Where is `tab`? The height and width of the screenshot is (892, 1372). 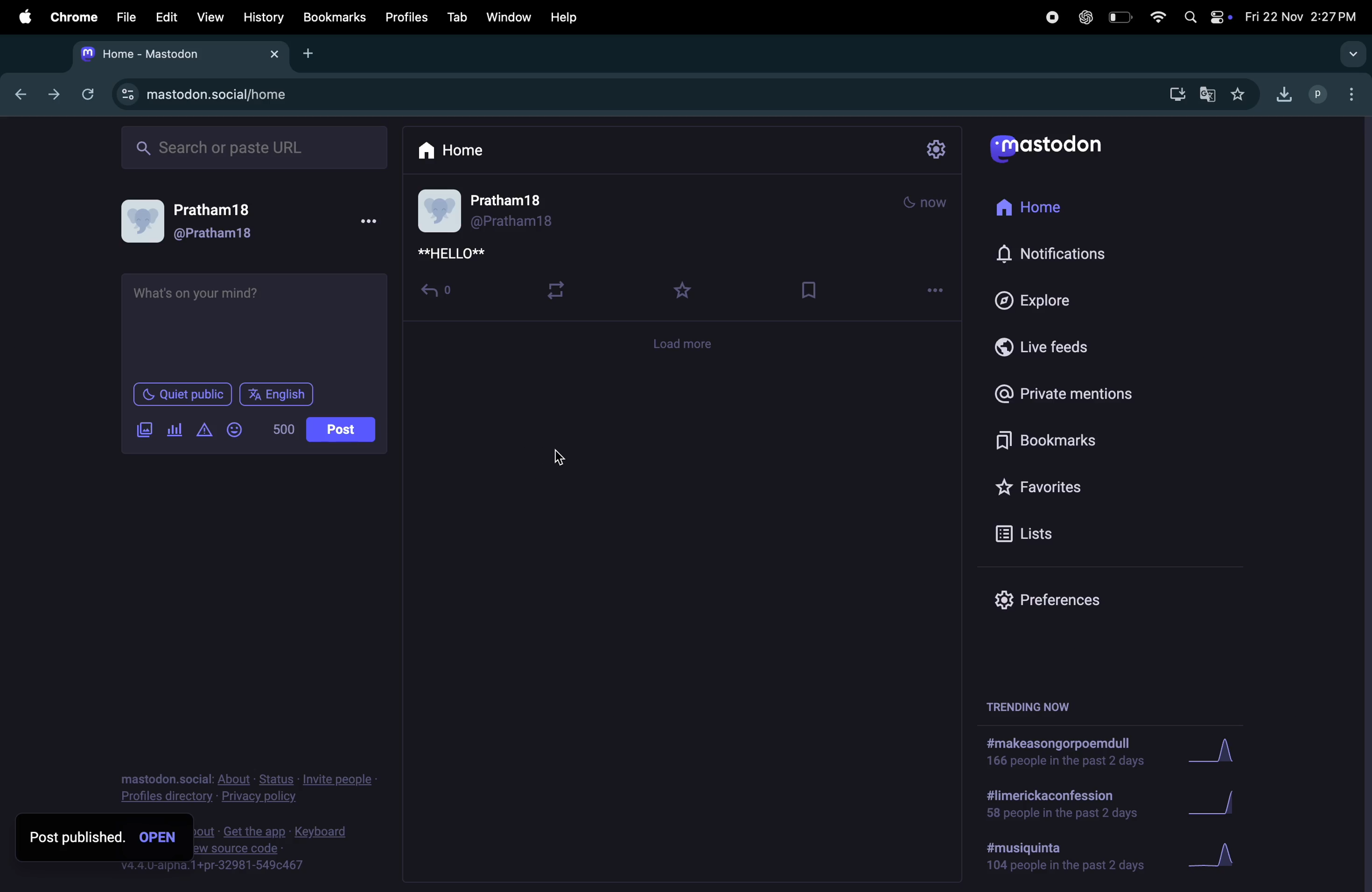
tab is located at coordinates (159, 56).